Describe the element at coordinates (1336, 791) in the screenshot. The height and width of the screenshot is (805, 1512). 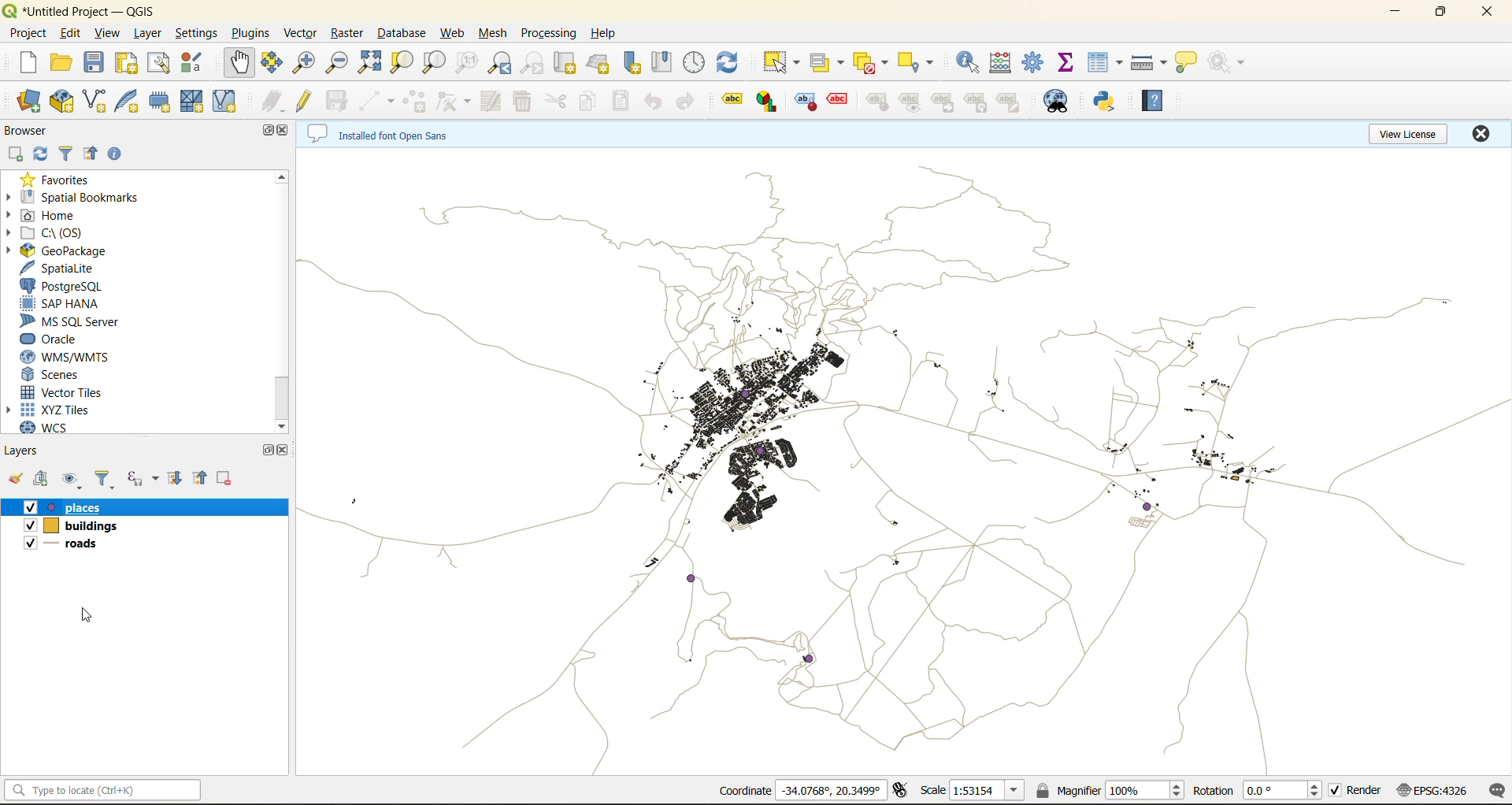
I see `checkbox` at that location.